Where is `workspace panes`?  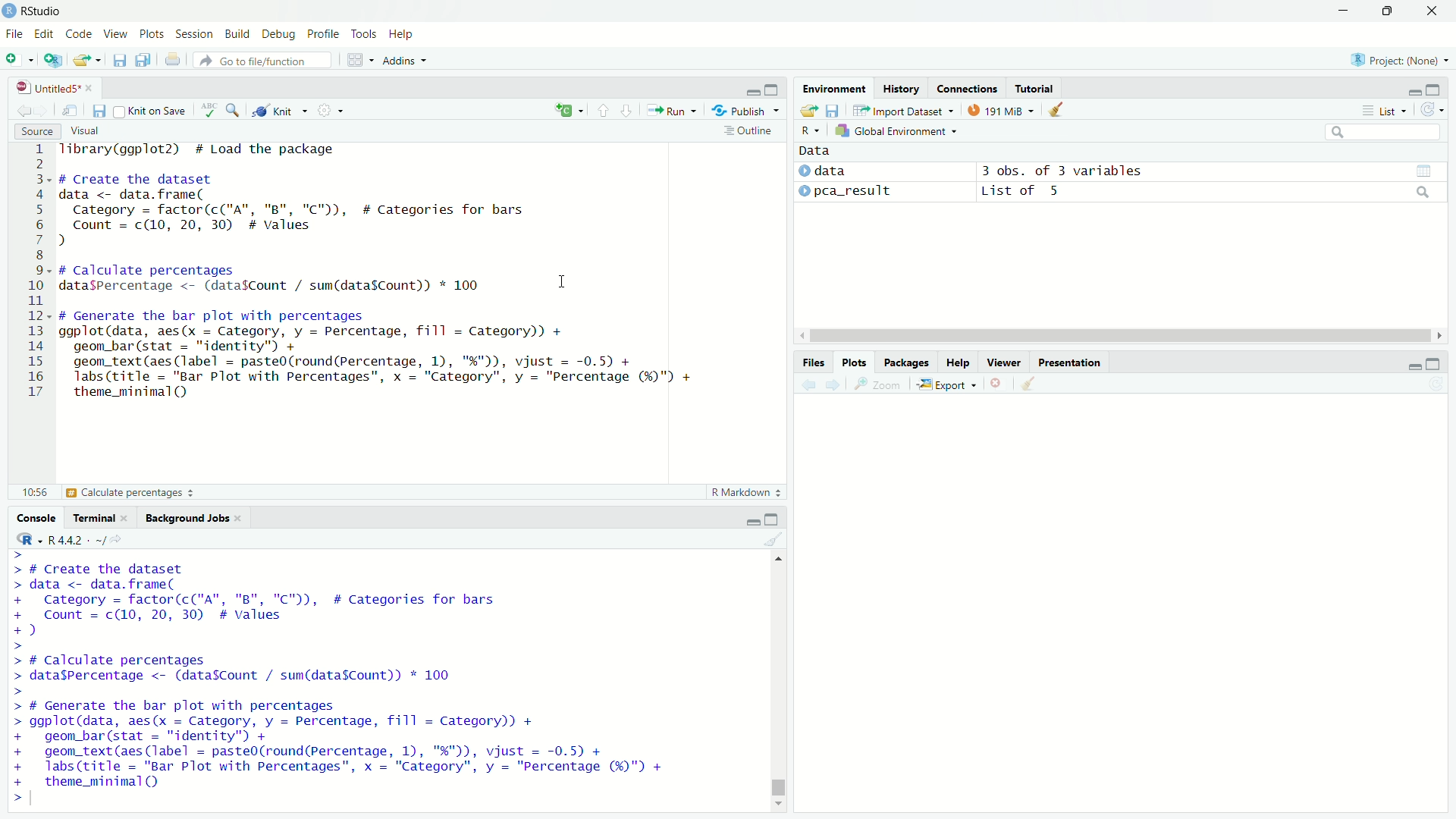 workspace panes is located at coordinates (357, 59).